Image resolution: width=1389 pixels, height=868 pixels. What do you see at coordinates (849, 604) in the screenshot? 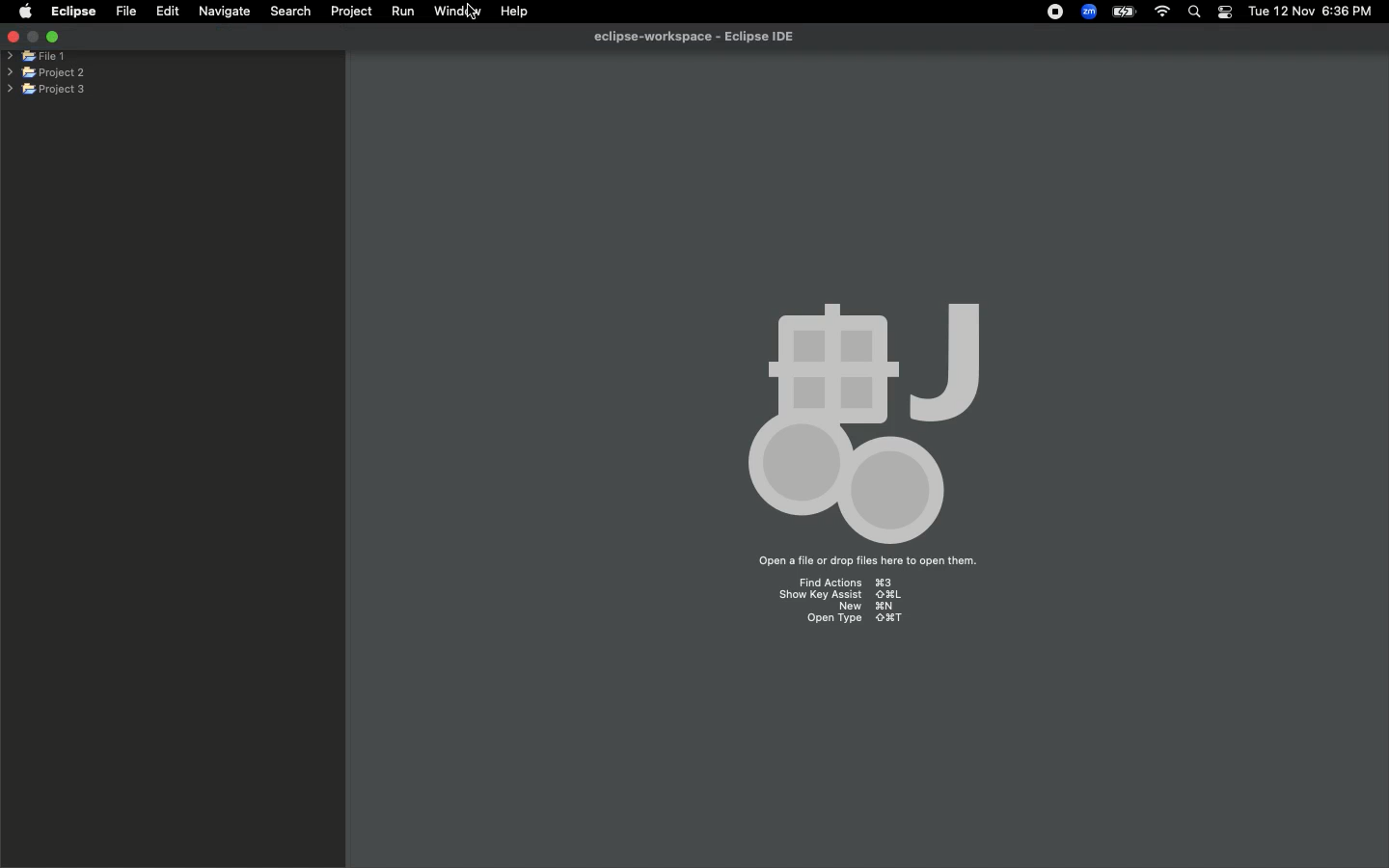
I see `Shortcuts` at bounding box center [849, 604].